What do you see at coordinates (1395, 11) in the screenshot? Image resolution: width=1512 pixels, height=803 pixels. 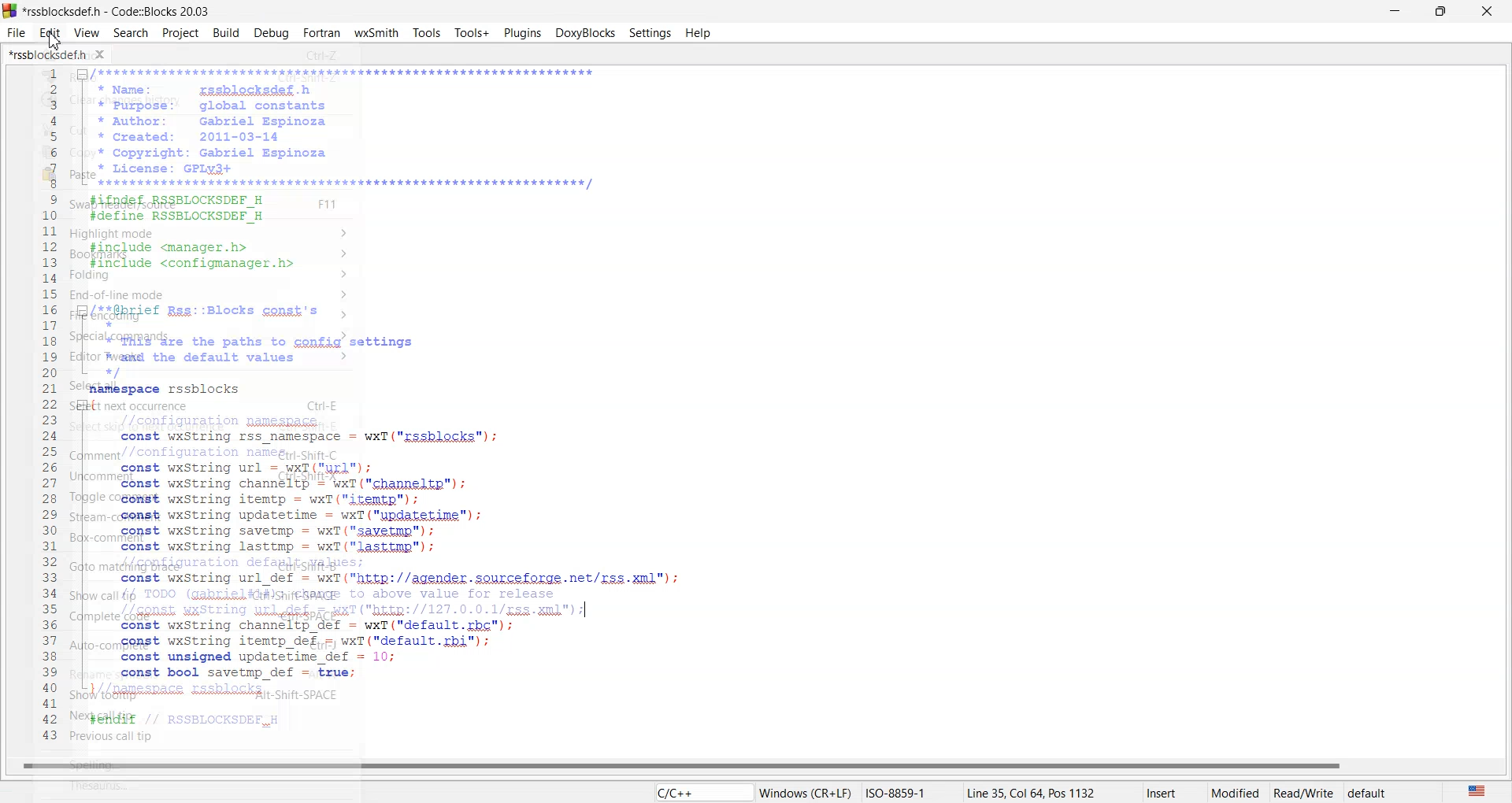 I see `minimise` at bounding box center [1395, 11].